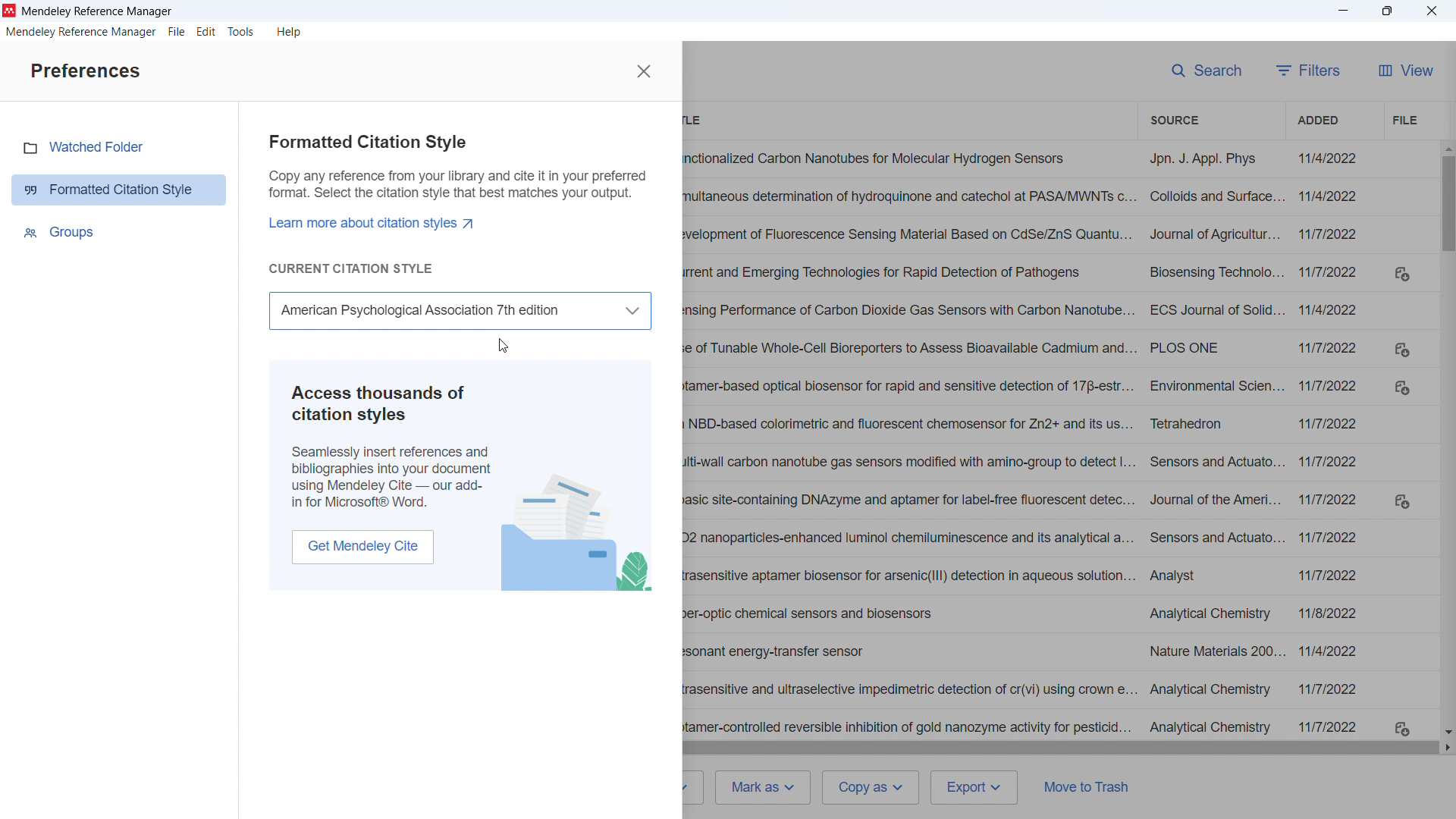  What do you see at coordinates (1430, 10) in the screenshot?
I see `Close ` at bounding box center [1430, 10].